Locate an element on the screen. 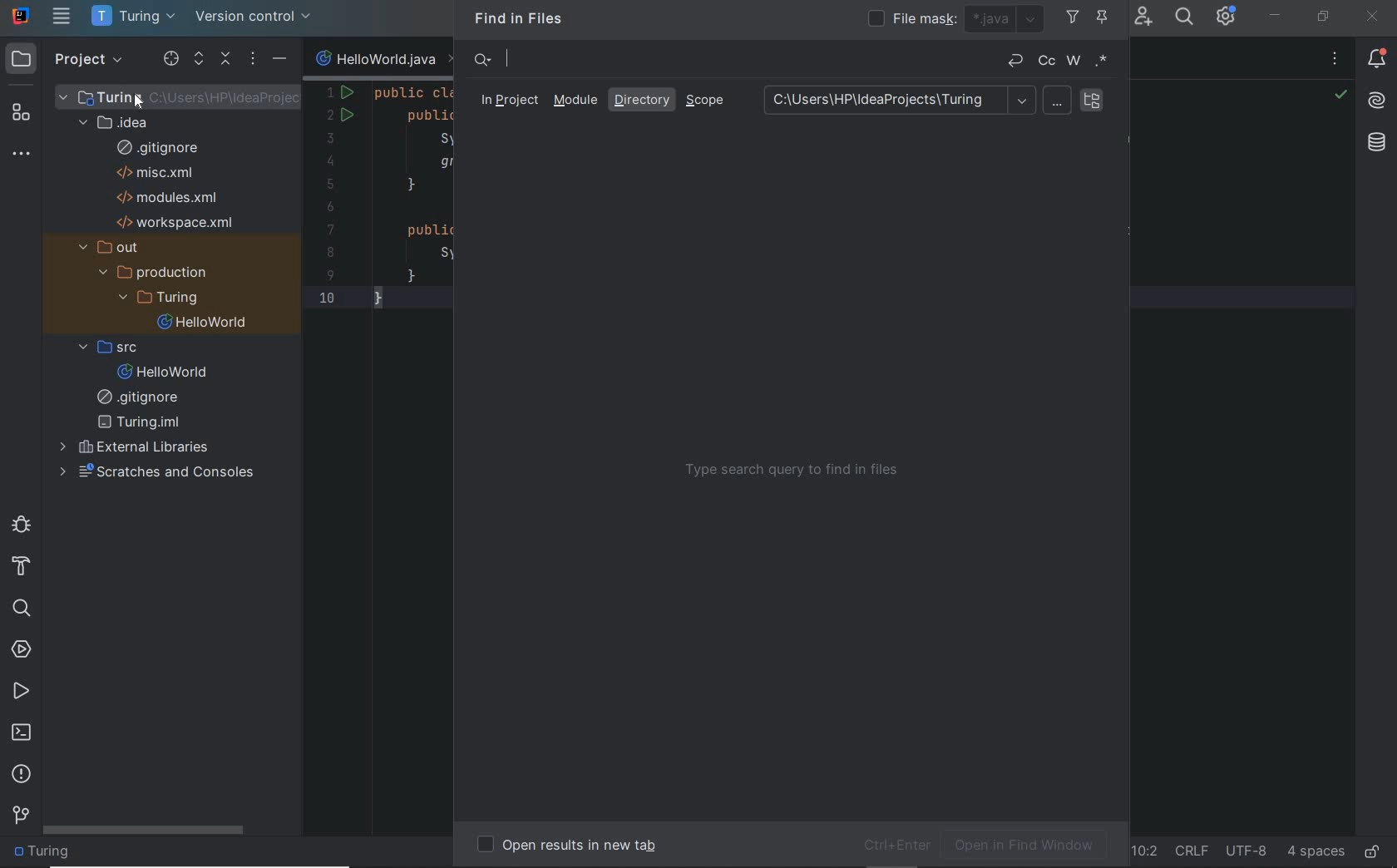 Image resolution: width=1397 pixels, height=868 pixels. directory is located at coordinates (644, 98).